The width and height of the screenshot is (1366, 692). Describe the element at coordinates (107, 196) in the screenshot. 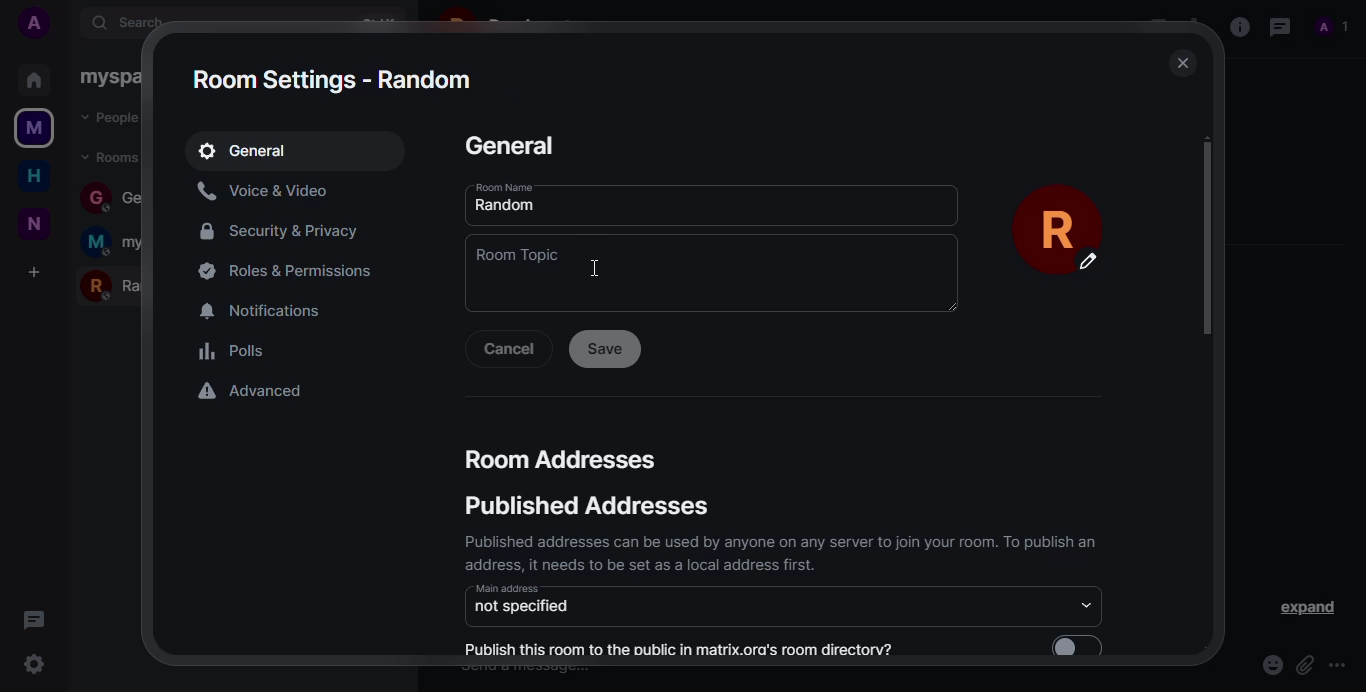

I see `general` at that location.